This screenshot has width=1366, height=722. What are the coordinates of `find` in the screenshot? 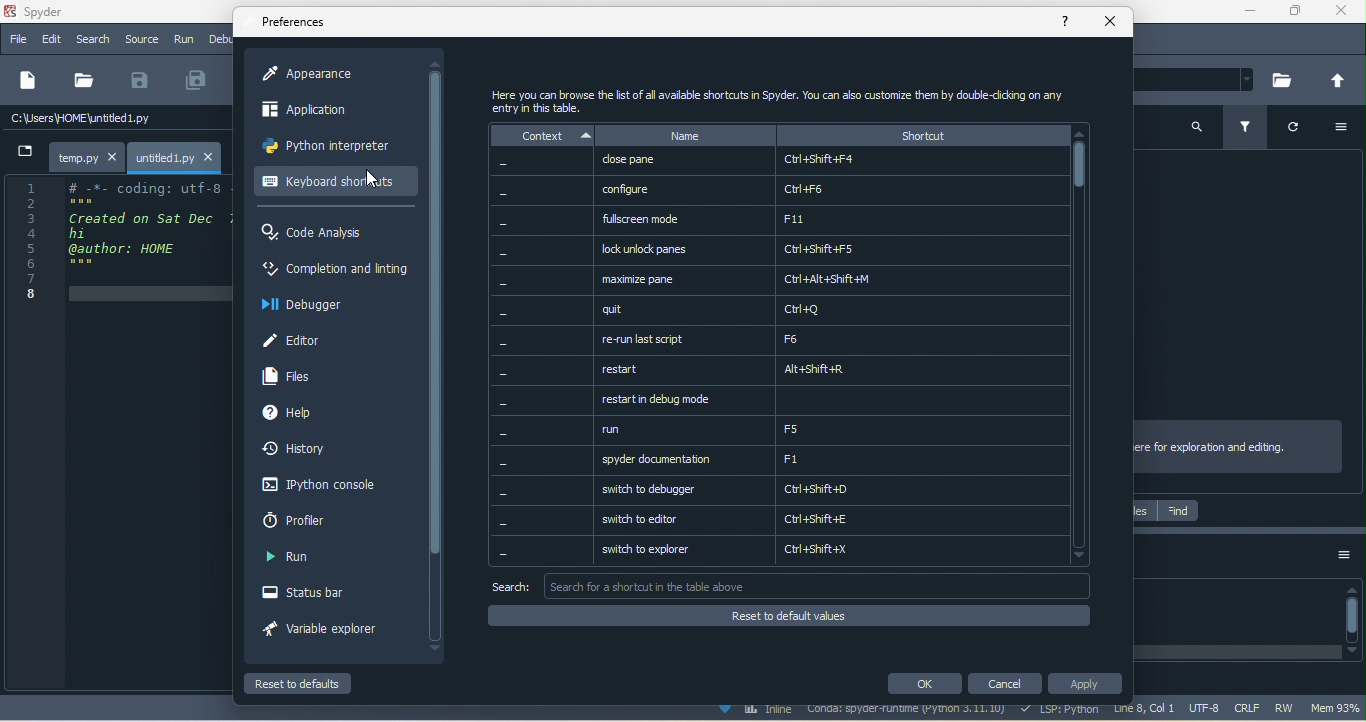 It's located at (1178, 512).